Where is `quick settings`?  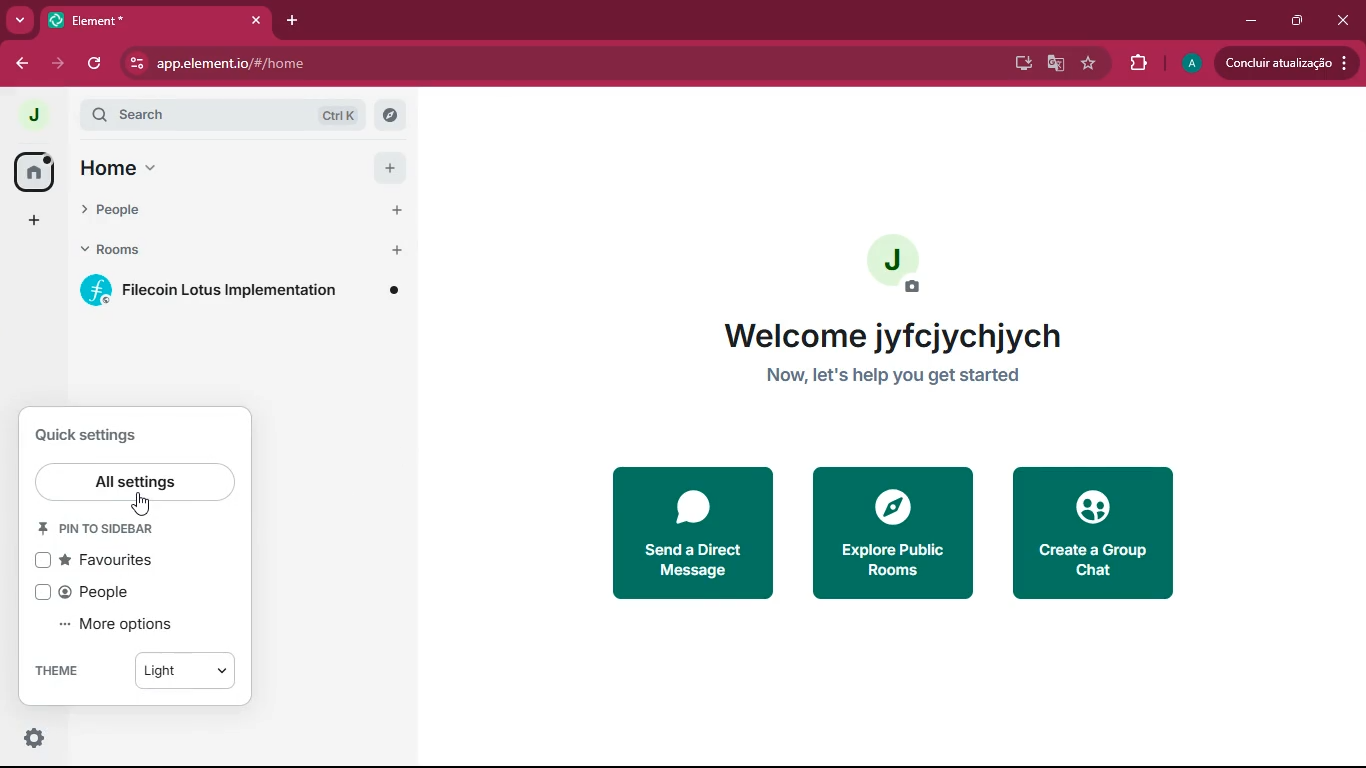 quick settings is located at coordinates (90, 434).